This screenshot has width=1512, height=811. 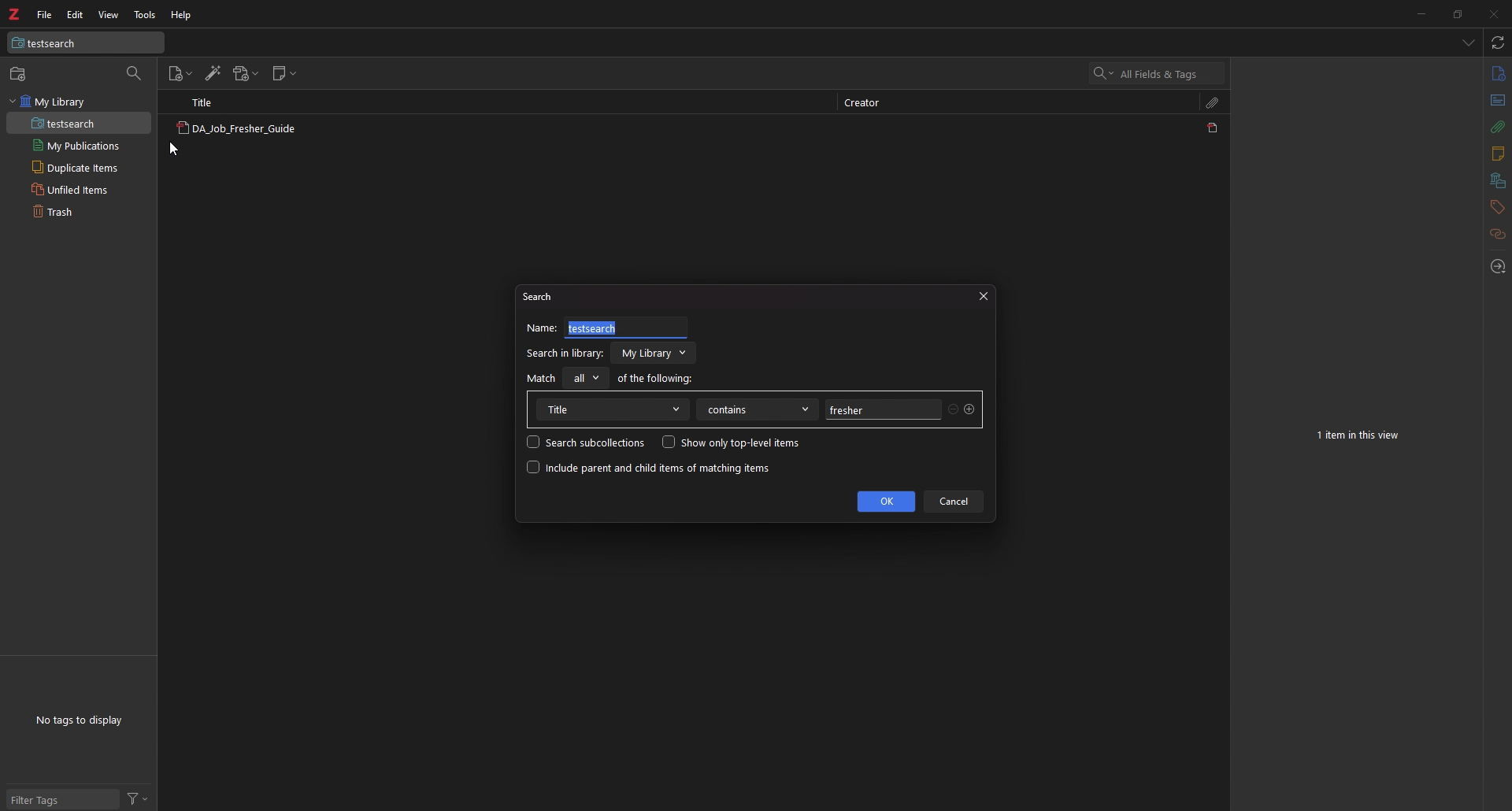 I want to click on edit, so click(x=76, y=15).